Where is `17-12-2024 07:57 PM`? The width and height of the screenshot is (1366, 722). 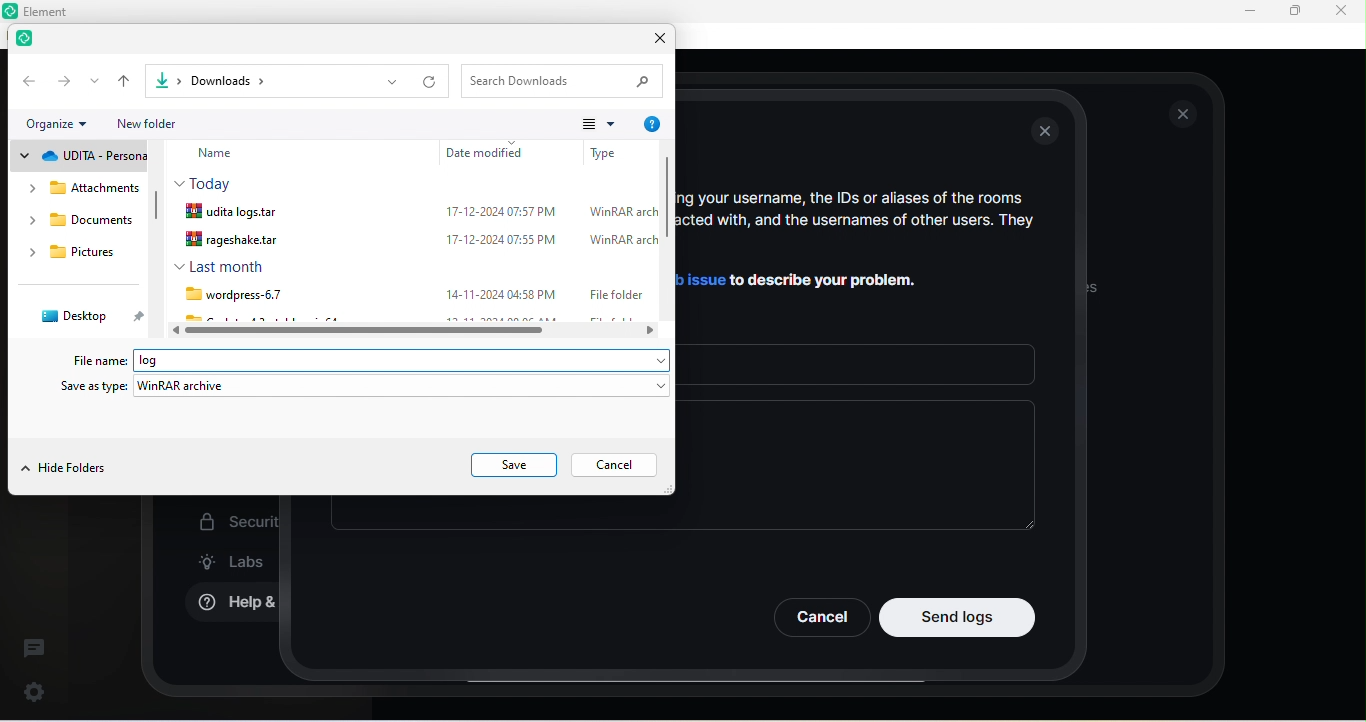 17-12-2024 07:57 PM is located at coordinates (499, 212).